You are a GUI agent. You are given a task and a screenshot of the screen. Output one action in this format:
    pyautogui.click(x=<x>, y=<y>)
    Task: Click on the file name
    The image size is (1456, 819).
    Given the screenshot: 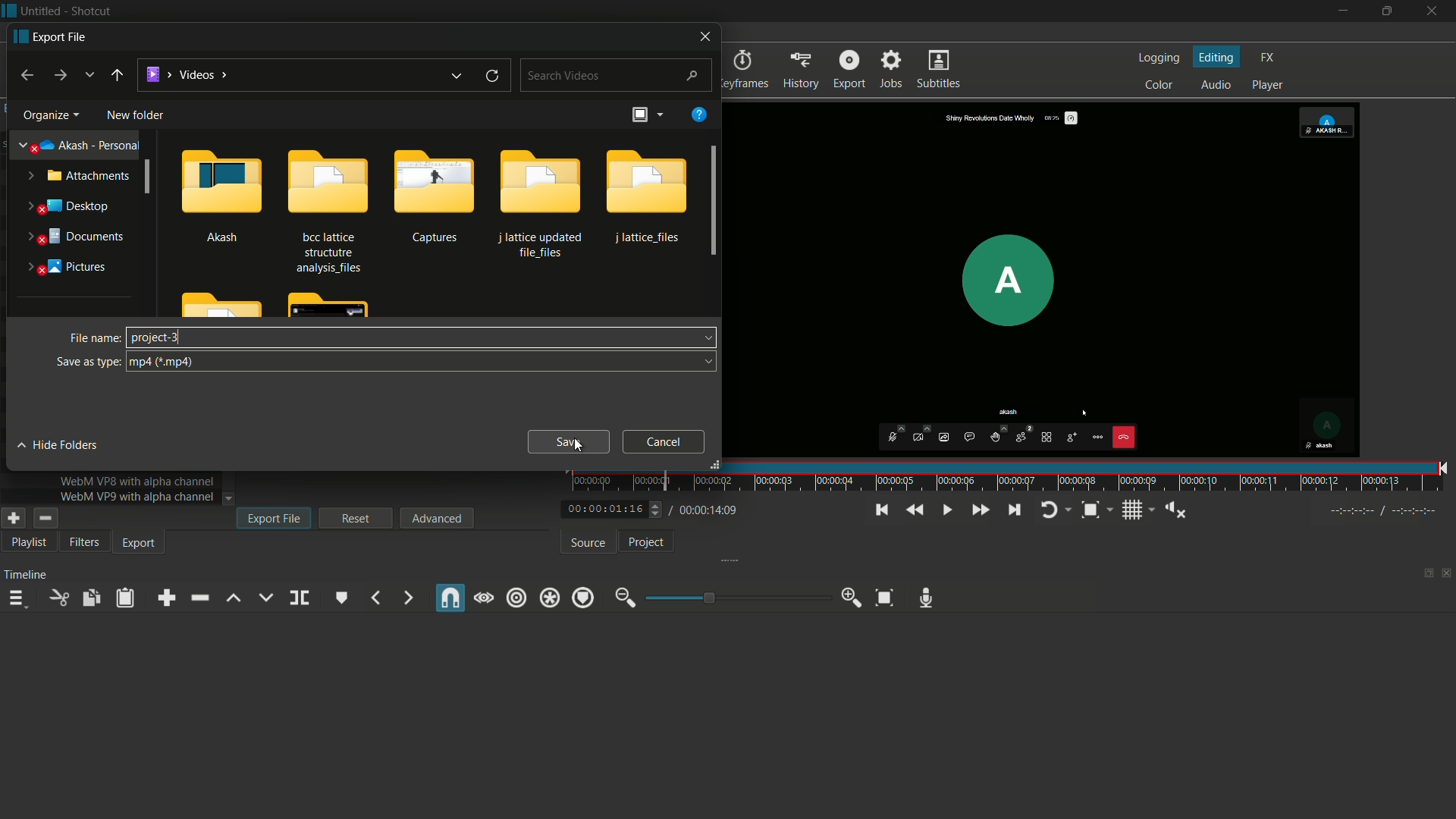 What is the action you would take?
    pyautogui.click(x=93, y=338)
    